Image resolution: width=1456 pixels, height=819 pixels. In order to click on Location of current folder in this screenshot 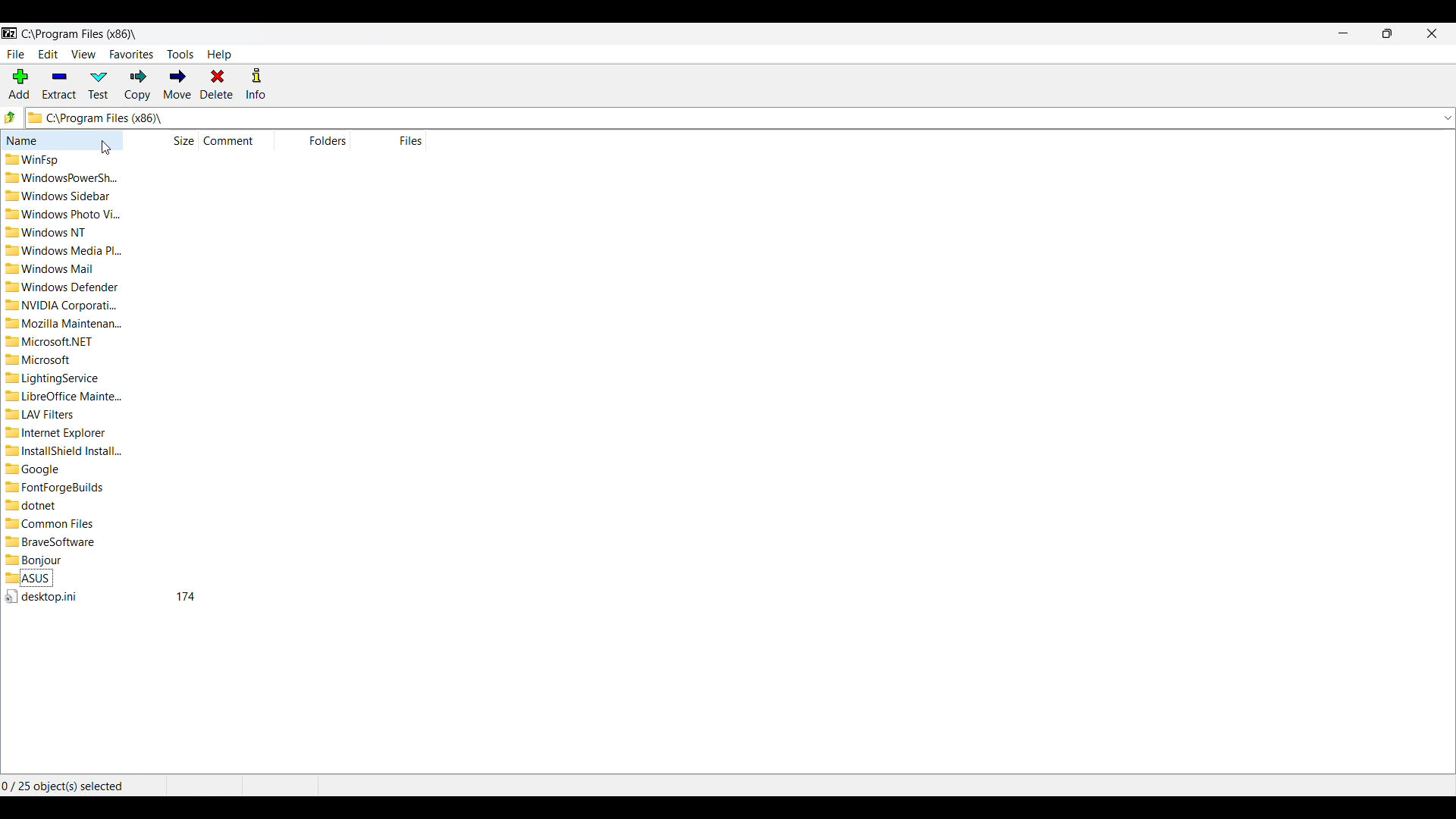, I will do `click(79, 34)`.